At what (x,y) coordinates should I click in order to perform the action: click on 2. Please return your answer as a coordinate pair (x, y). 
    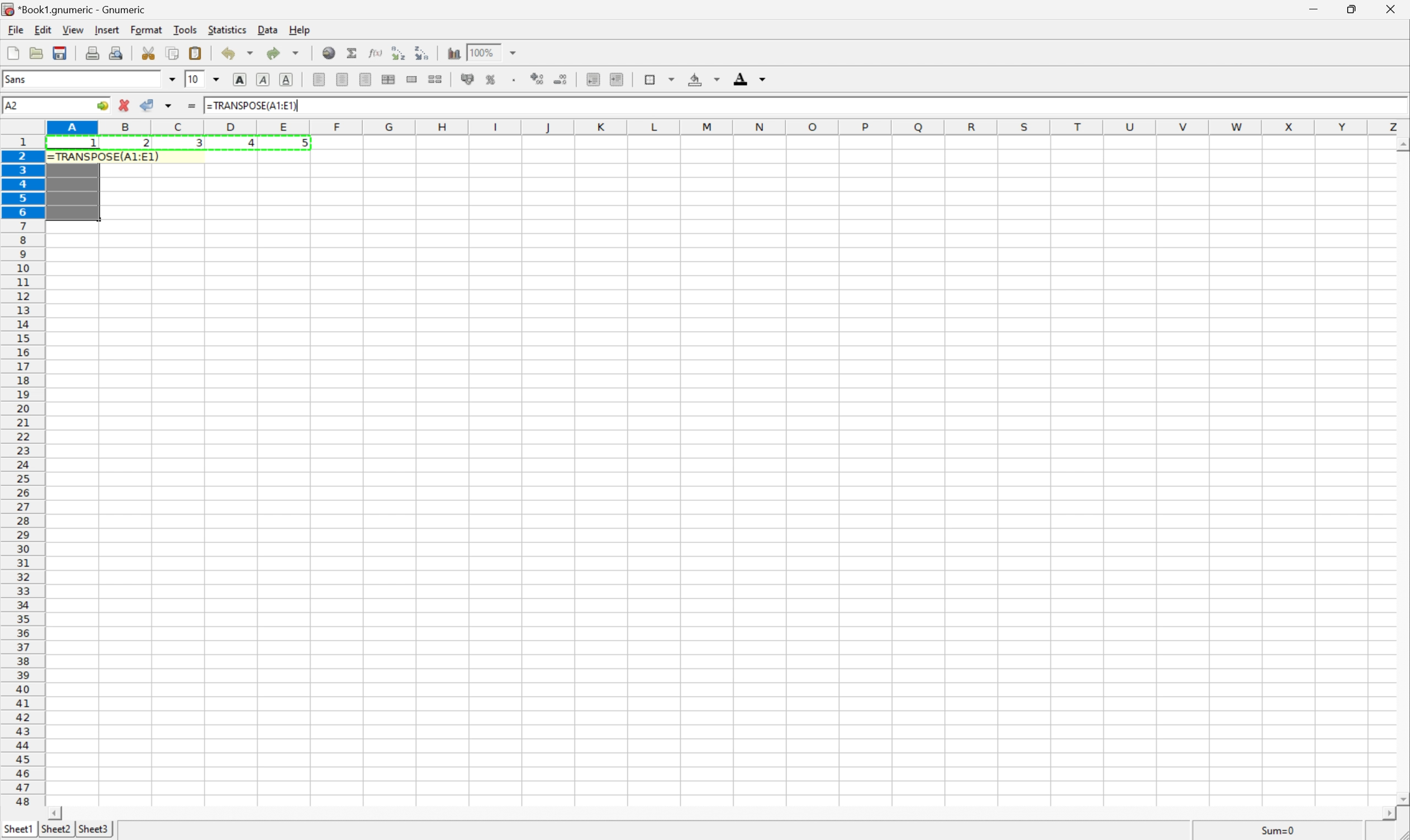
    Looking at the image, I should click on (146, 145).